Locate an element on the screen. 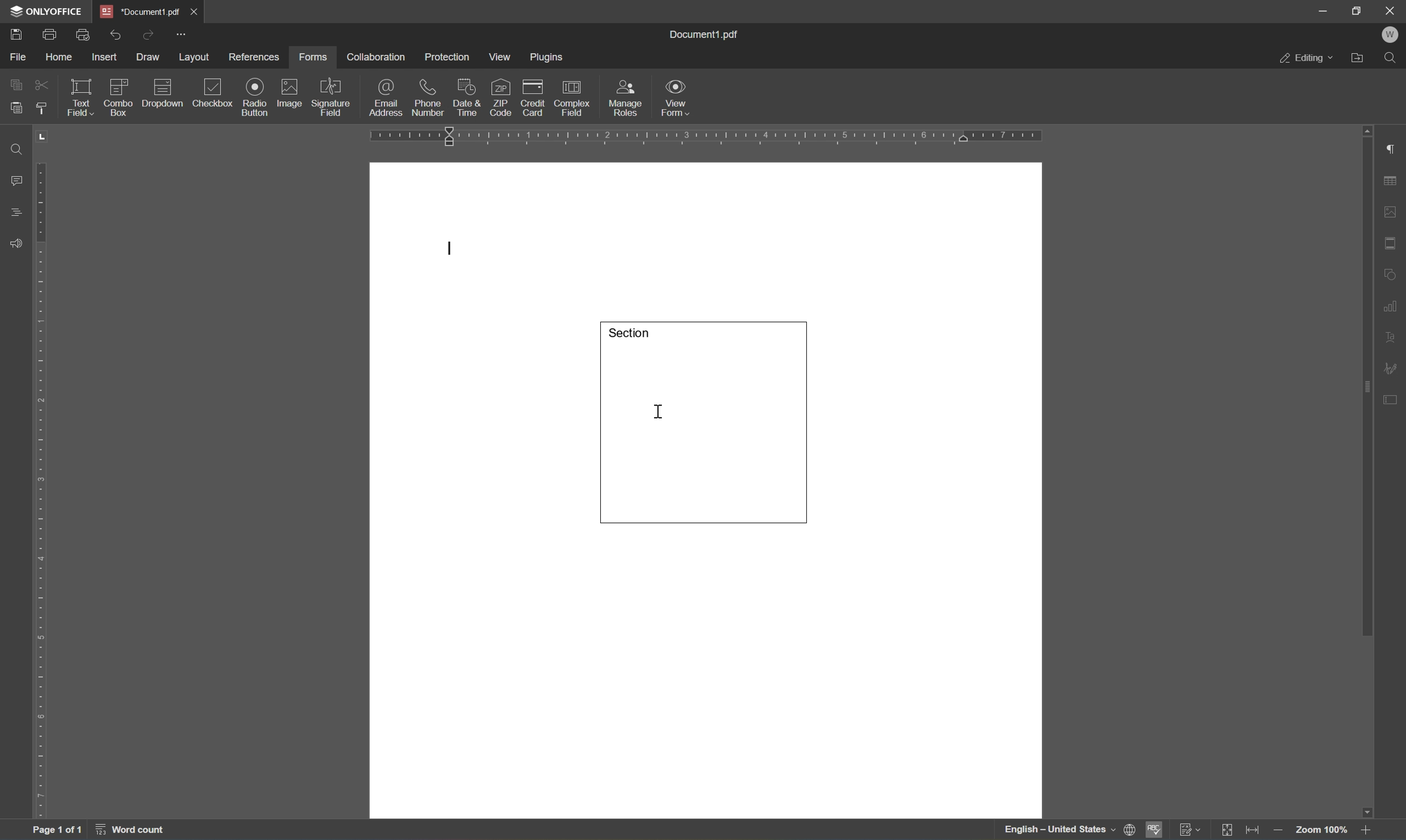  zoom out is located at coordinates (1281, 830).